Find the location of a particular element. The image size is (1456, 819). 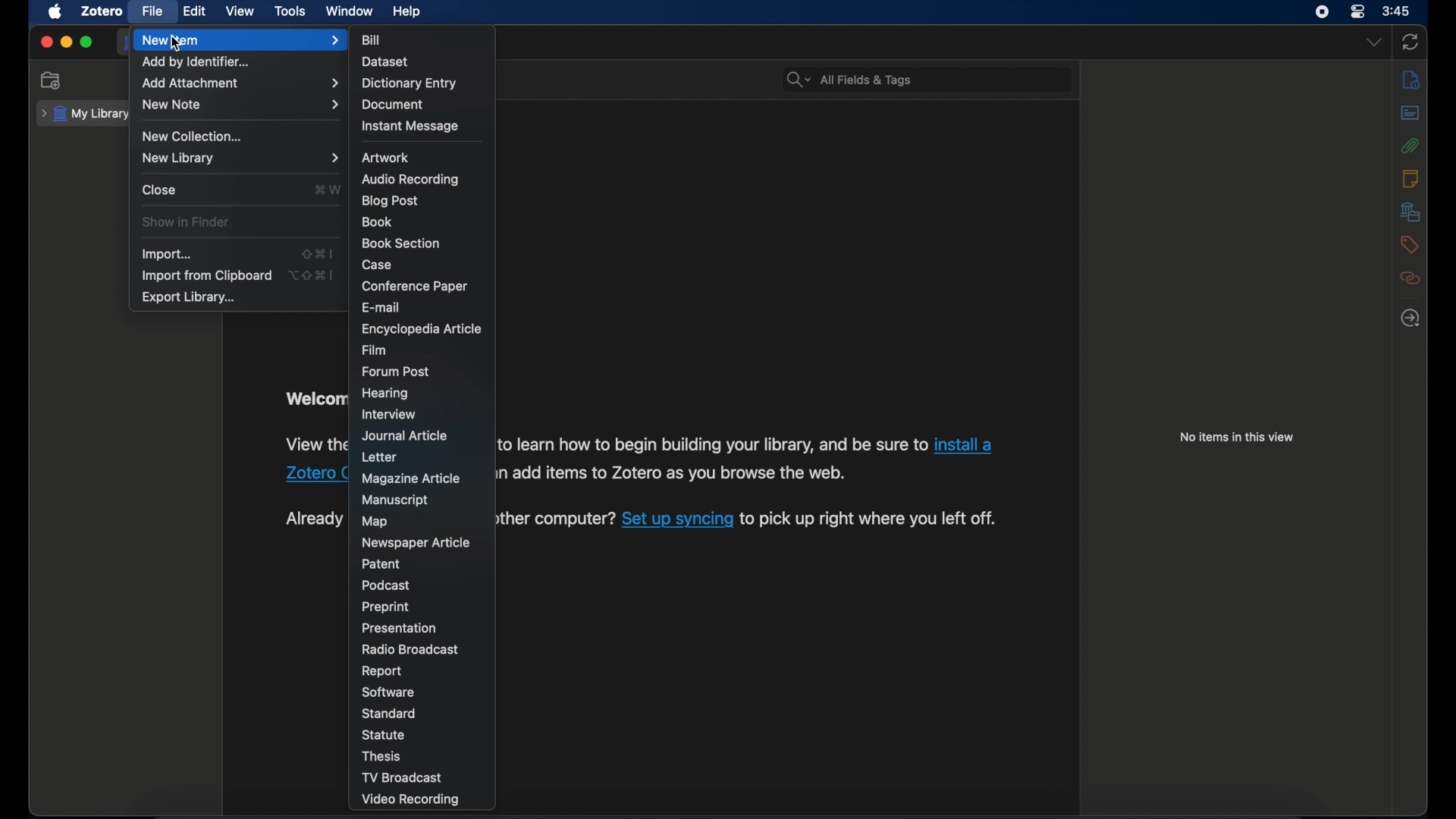

apple is located at coordinates (56, 12).